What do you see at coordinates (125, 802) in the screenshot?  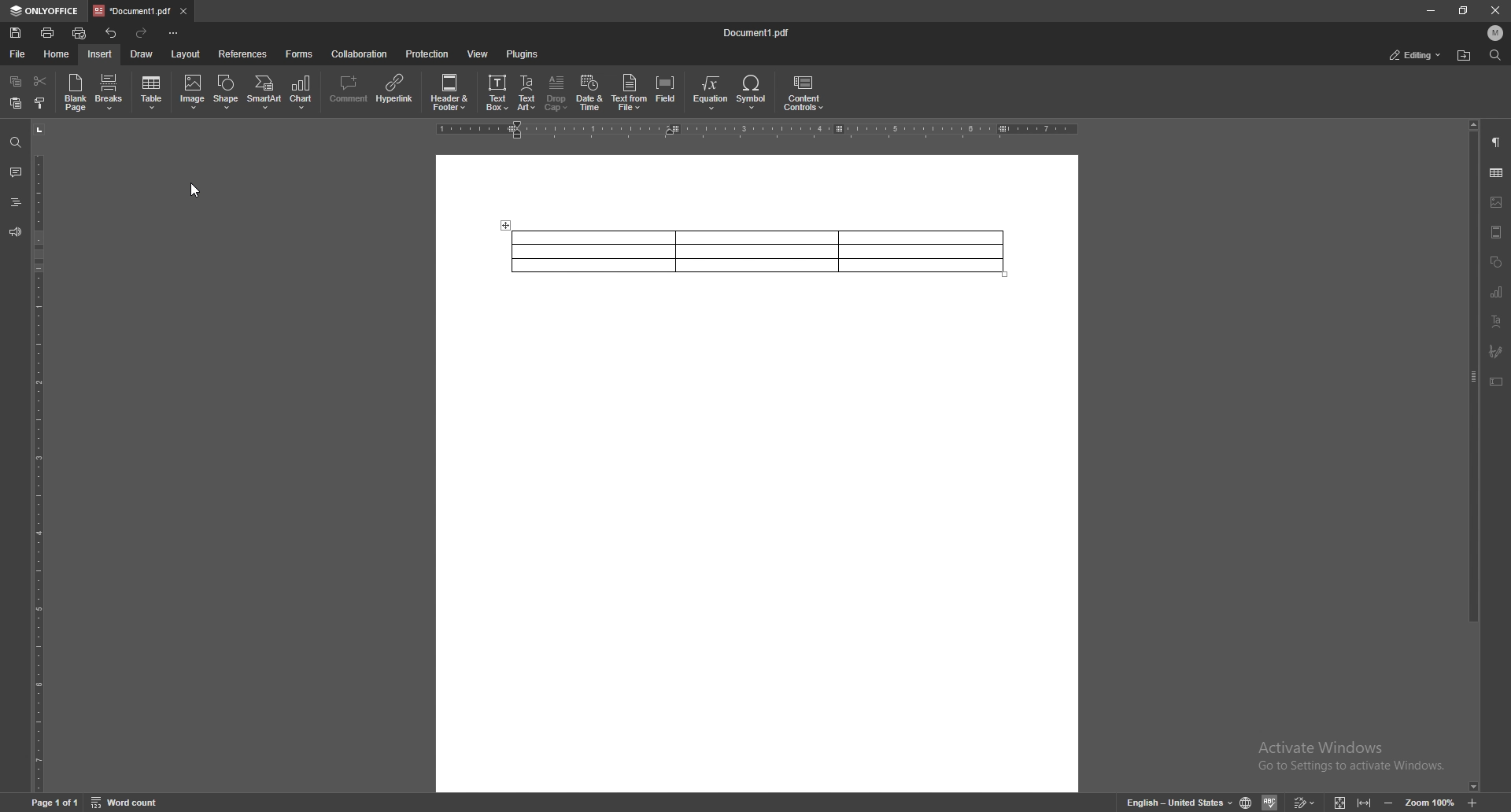 I see `word count` at bounding box center [125, 802].